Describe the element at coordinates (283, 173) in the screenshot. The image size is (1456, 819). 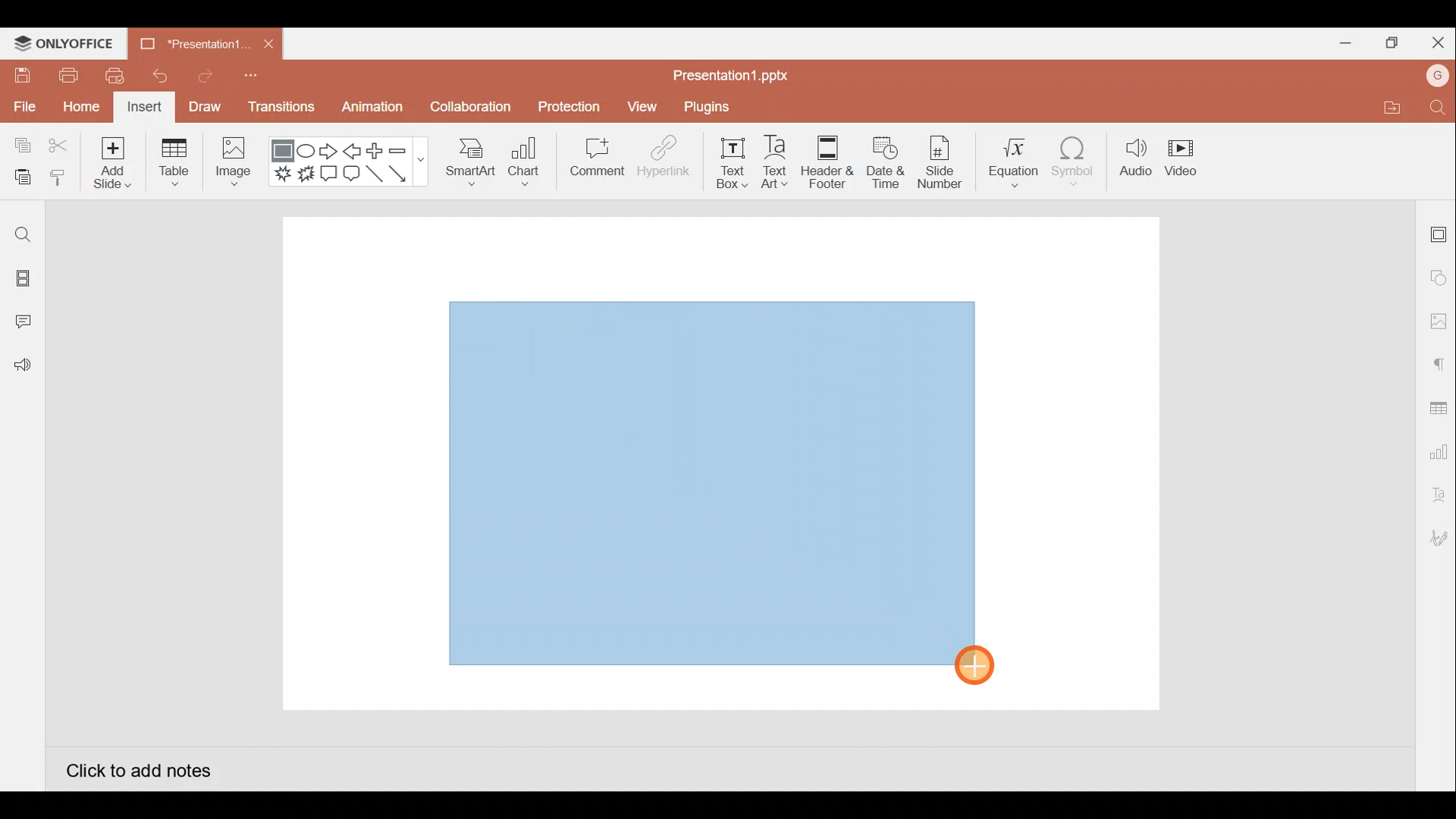
I see `Explosion 1` at that location.